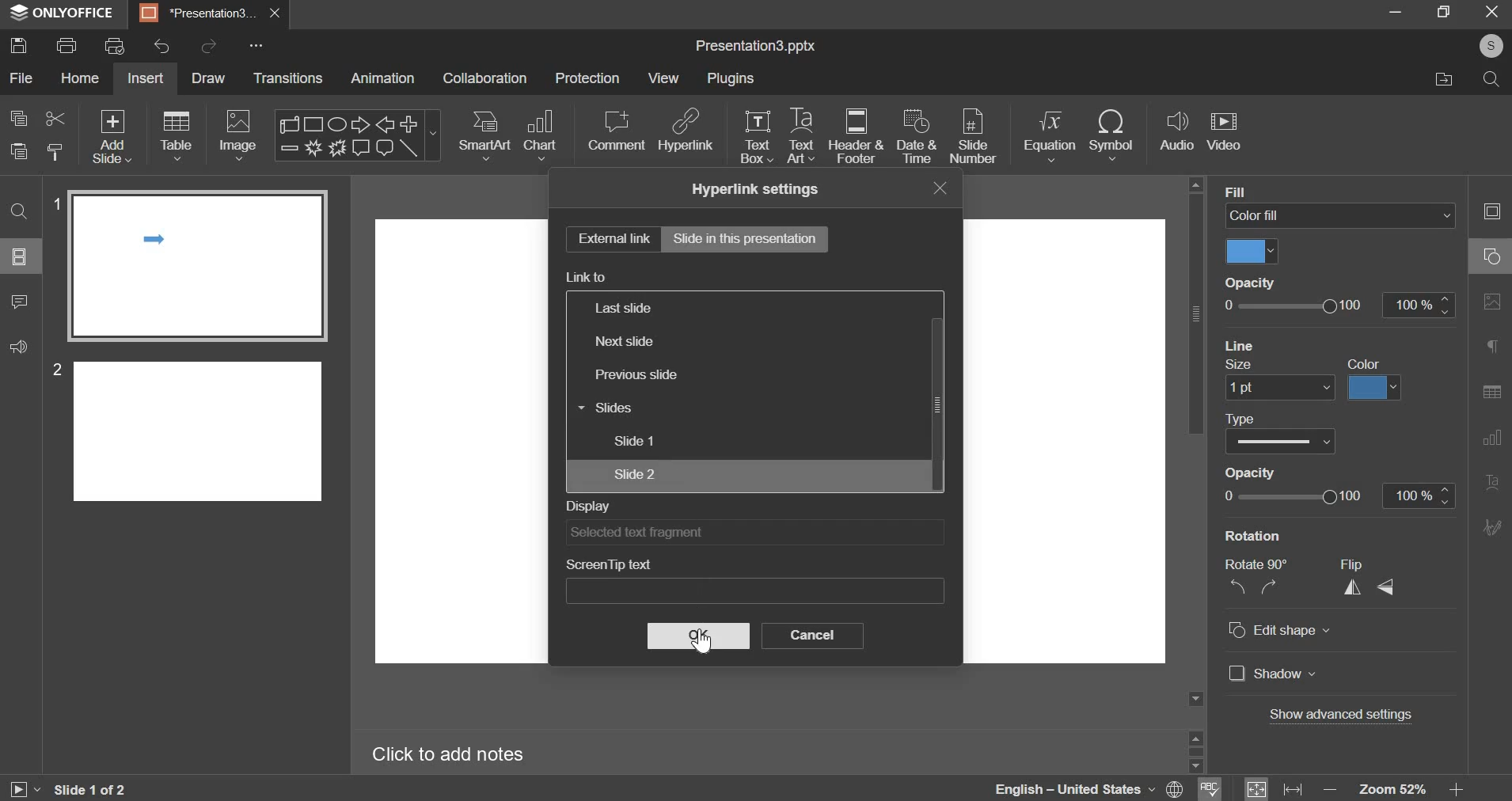  I want to click on slide number, so click(973, 138).